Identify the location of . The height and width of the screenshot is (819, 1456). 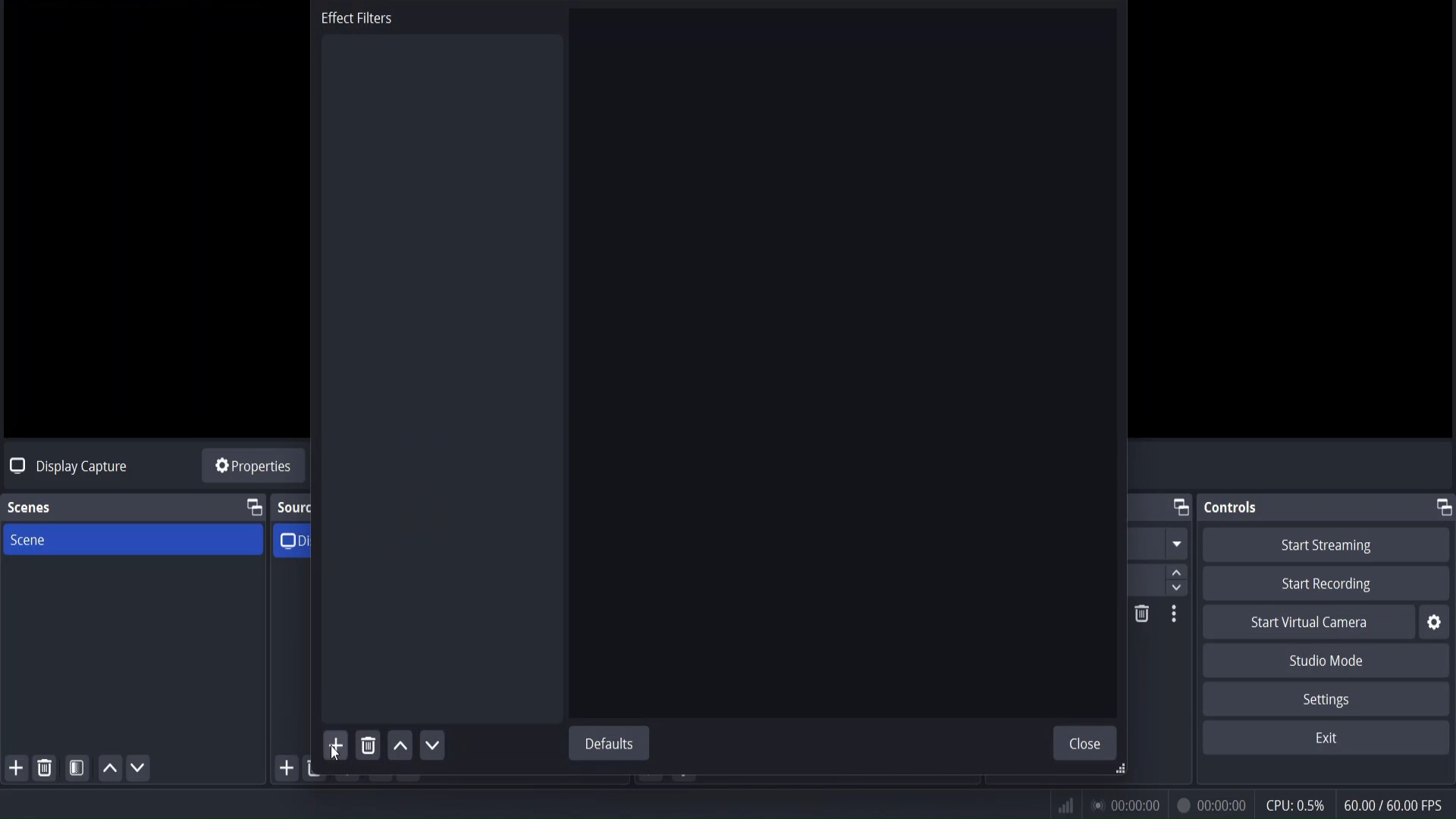
(1175, 617).